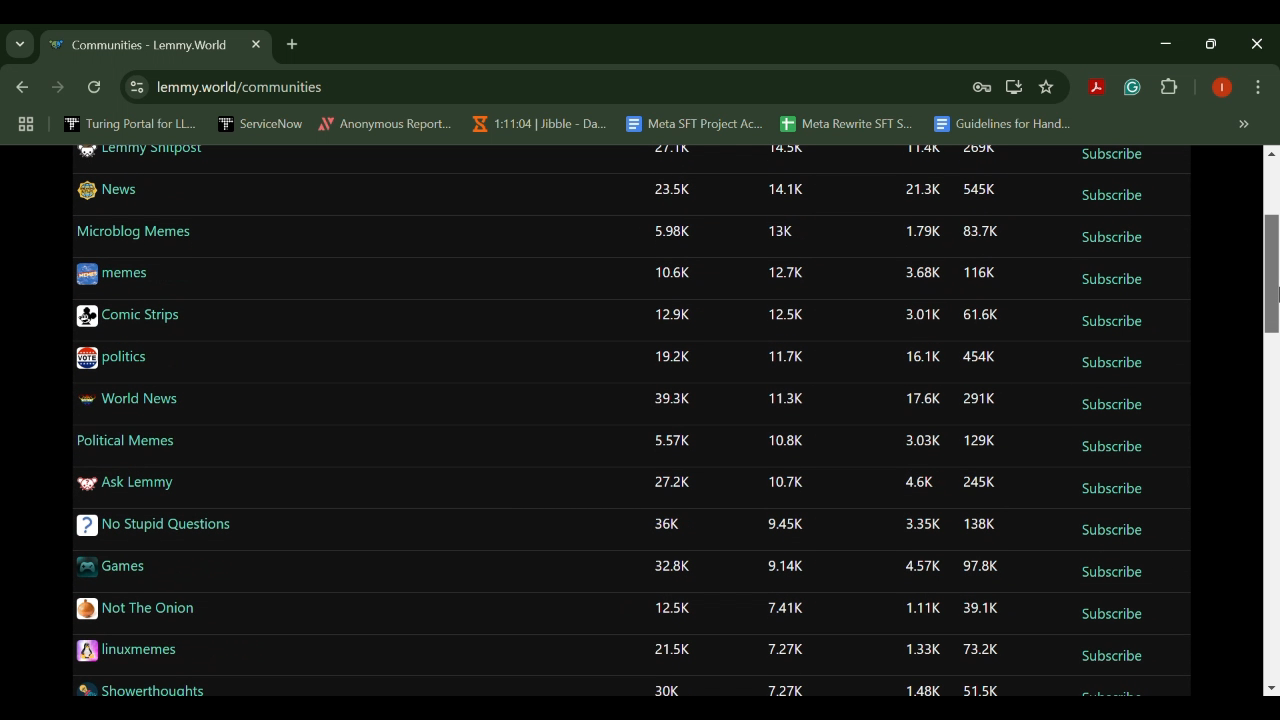 The height and width of the screenshot is (720, 1280). Describe the element at coordinates (1046, 88) in the screenshot. I see `Bookmark Site Button` at that location.